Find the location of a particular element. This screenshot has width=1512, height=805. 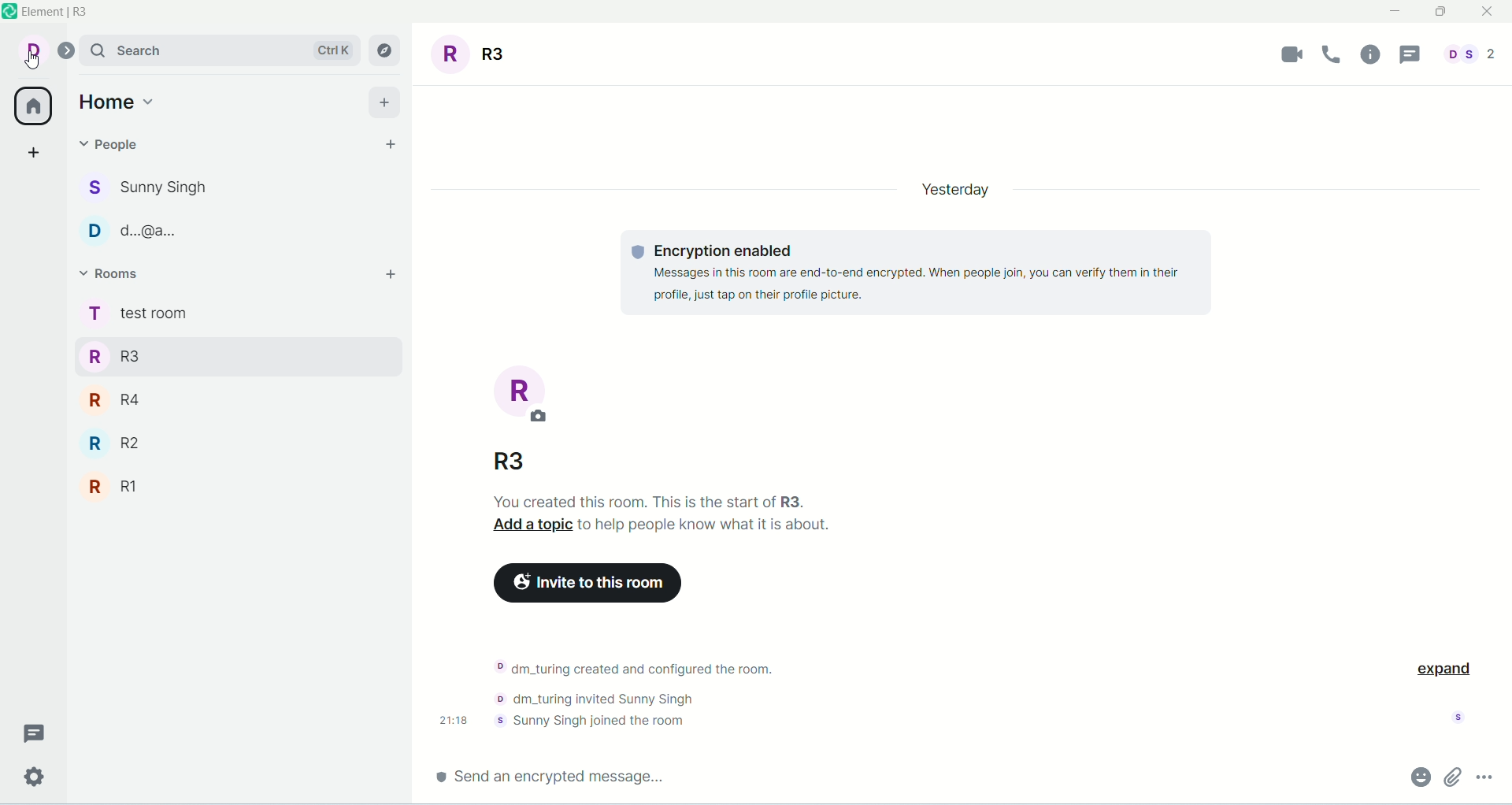

room info is located at coordinates (1373, 54).